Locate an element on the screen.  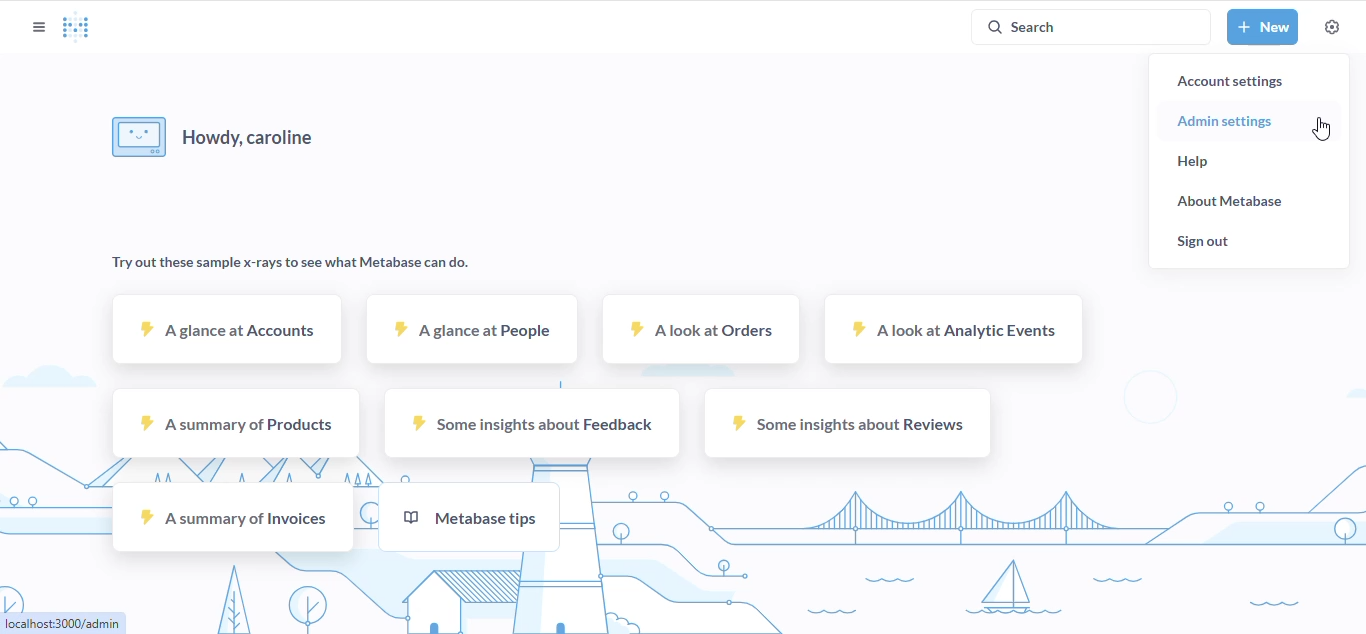
admin settings is located at coordinates (1229, 120).